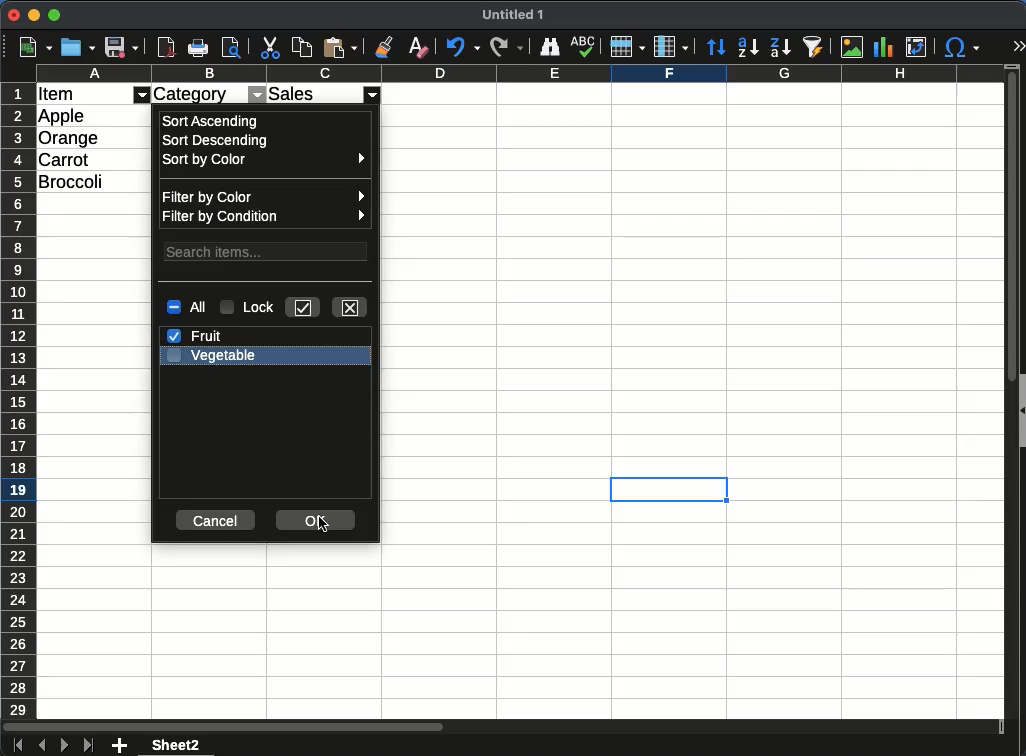  I want to click on expand, so click(1016, 45).